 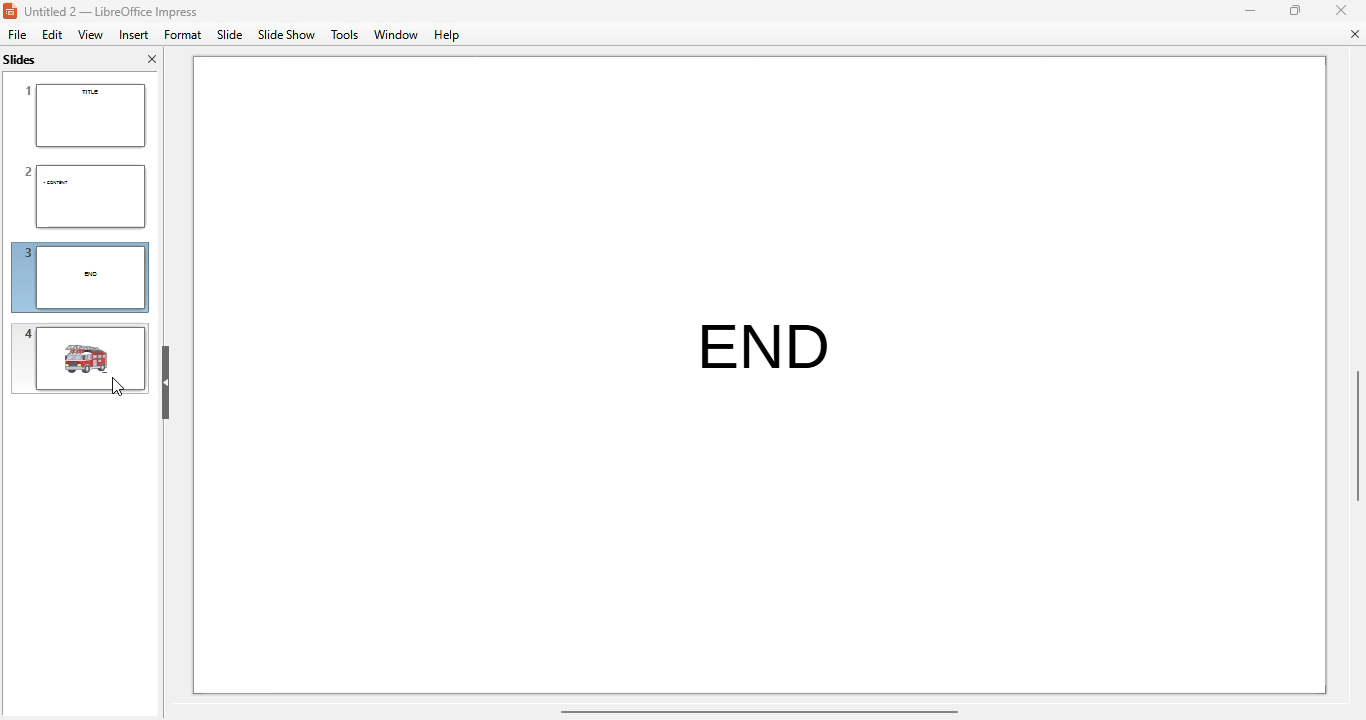 What do you see at coordinates (182, 34) in the screenshot?
I see `format` at bounding box center [182, 34].